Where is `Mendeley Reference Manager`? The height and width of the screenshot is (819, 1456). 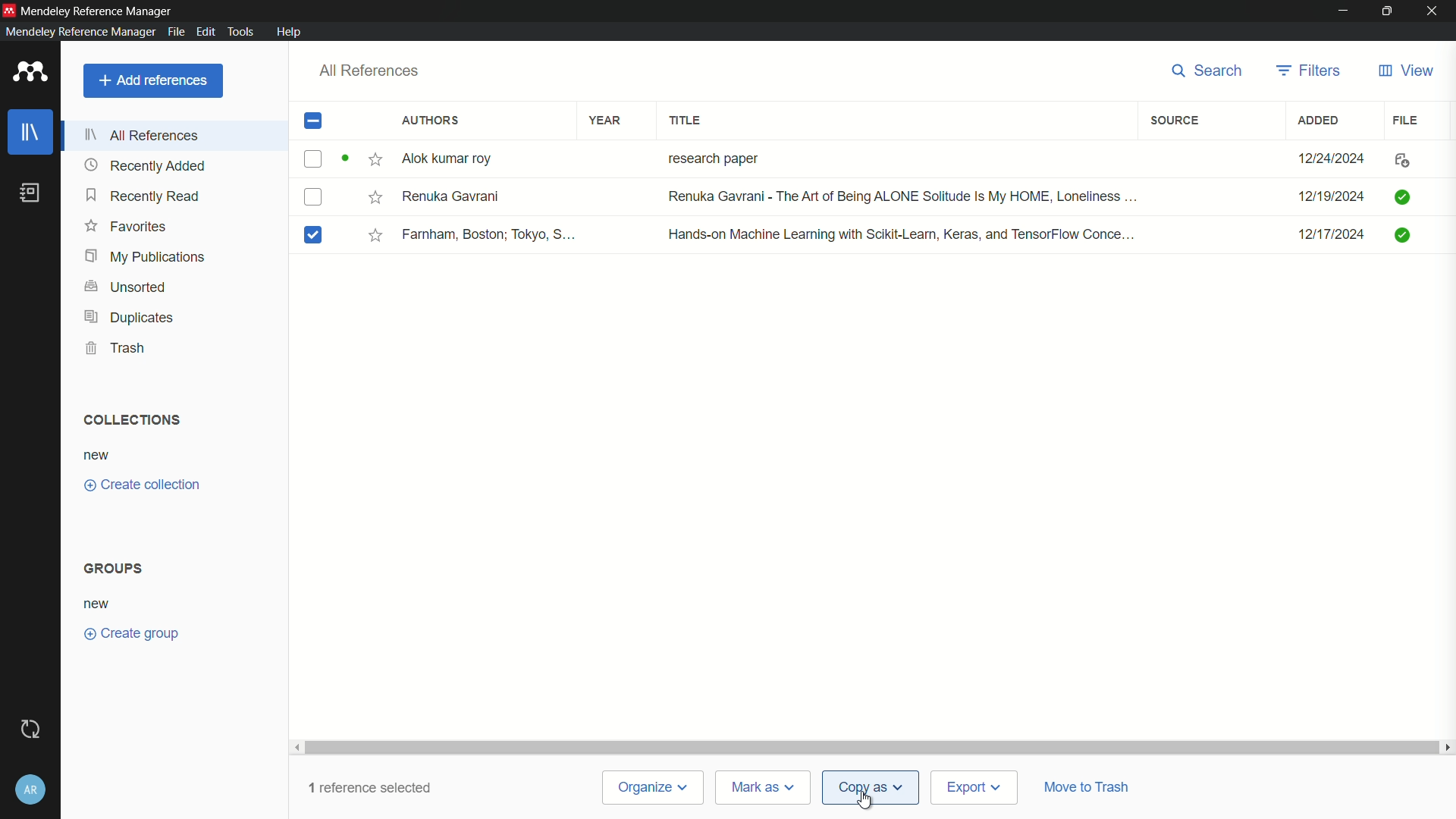
Mendeley Reference Manager is located at coordinates (77, 32).